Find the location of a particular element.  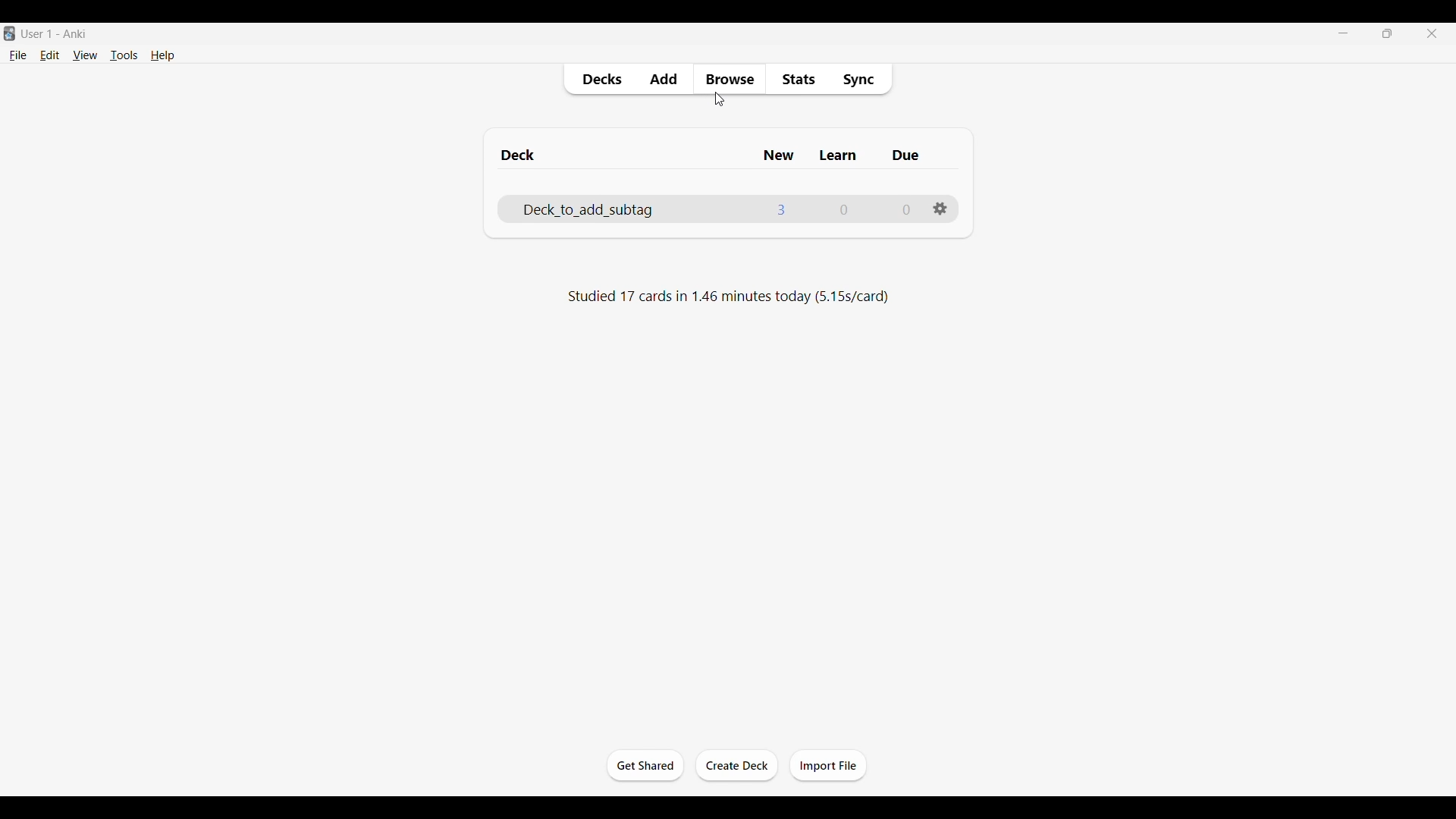

Studied 17 cards in 1.46 minutes today (5.15s/card) is located at coordinates (727, 297).